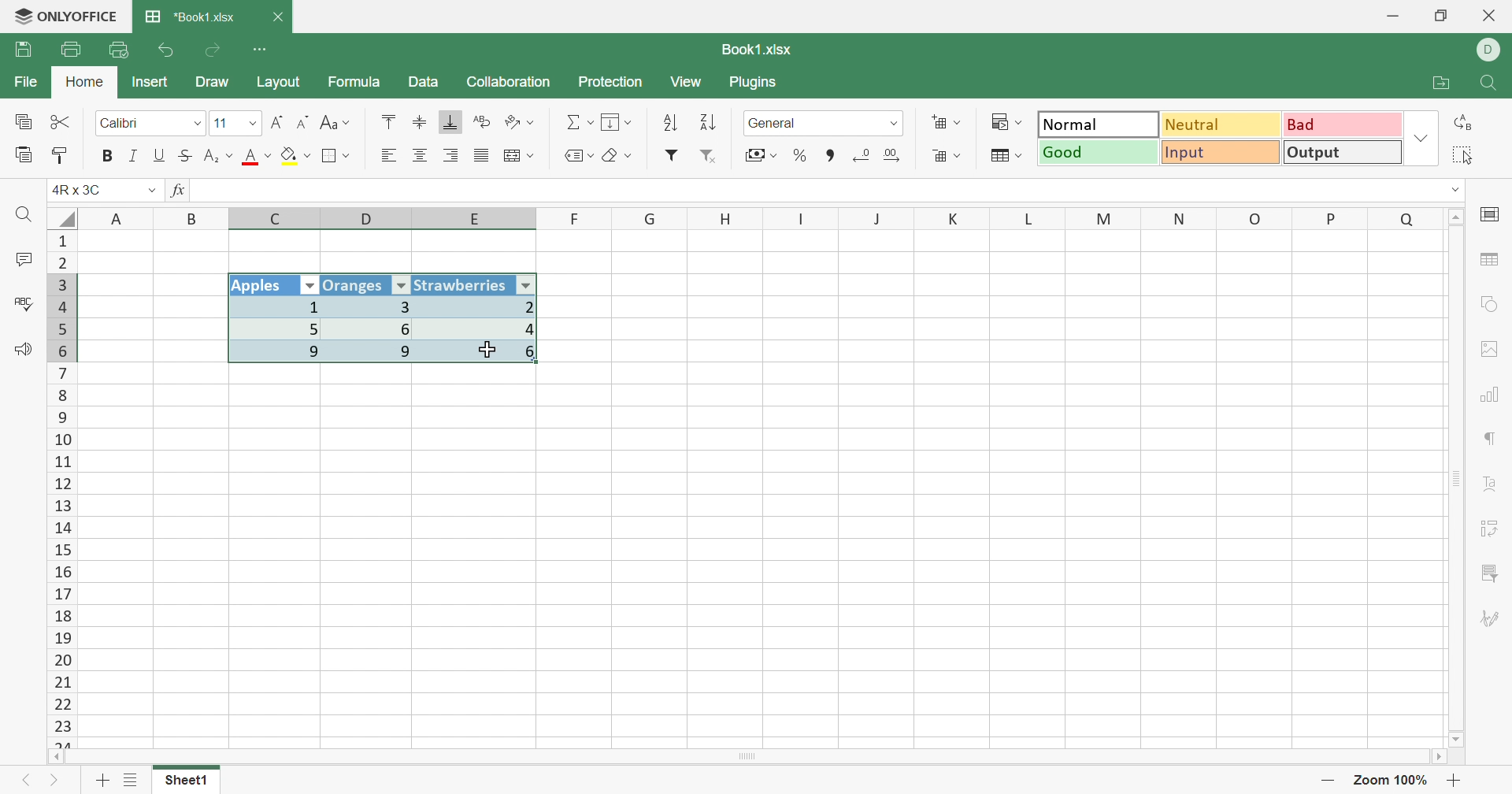 This screenshot has height=794, width=1512. What do you see at coordinates (62, 216) in the screenshot?
I see `Select all` at bounding box center [62, 216].